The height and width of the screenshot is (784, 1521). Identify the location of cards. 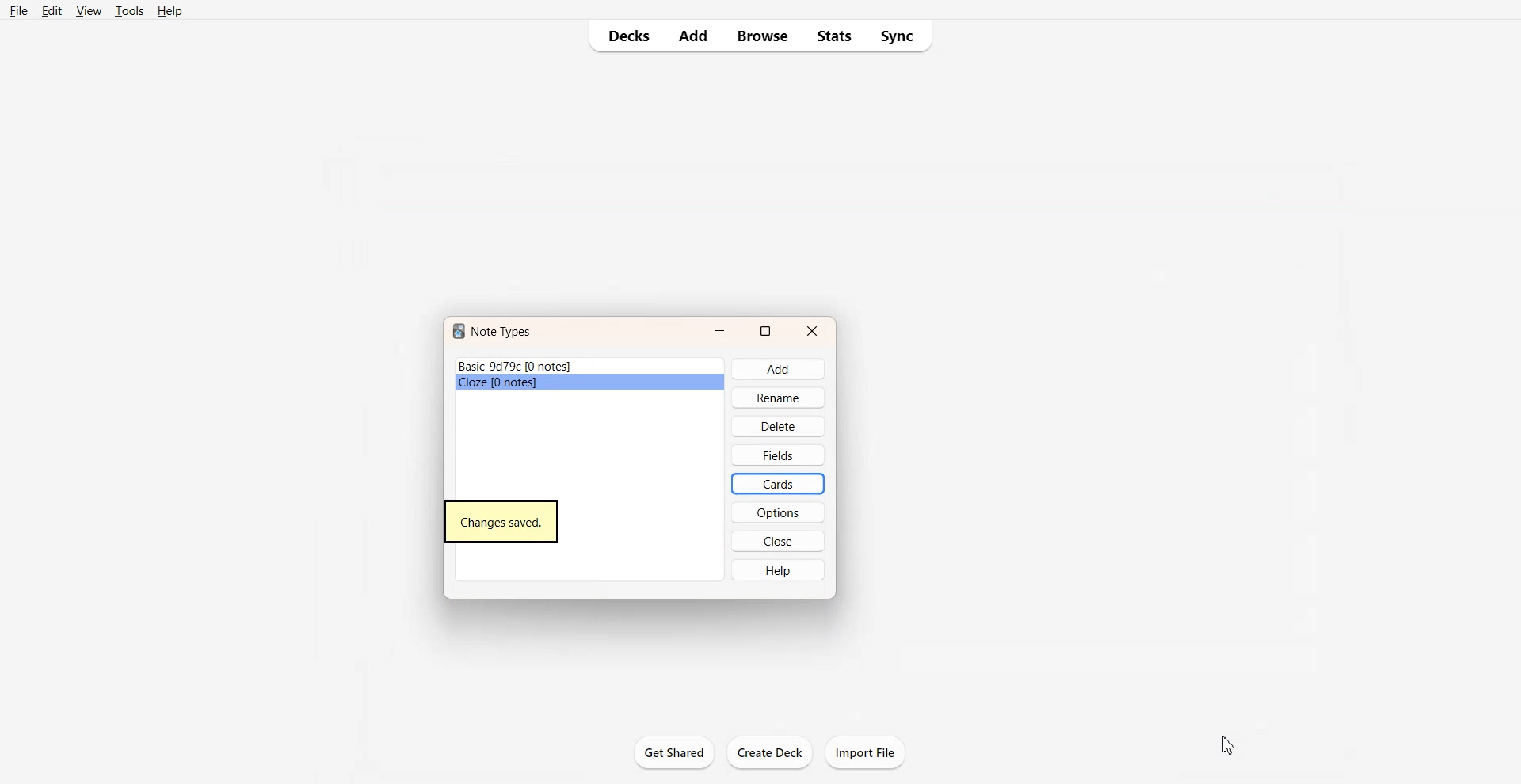
(783, 482).